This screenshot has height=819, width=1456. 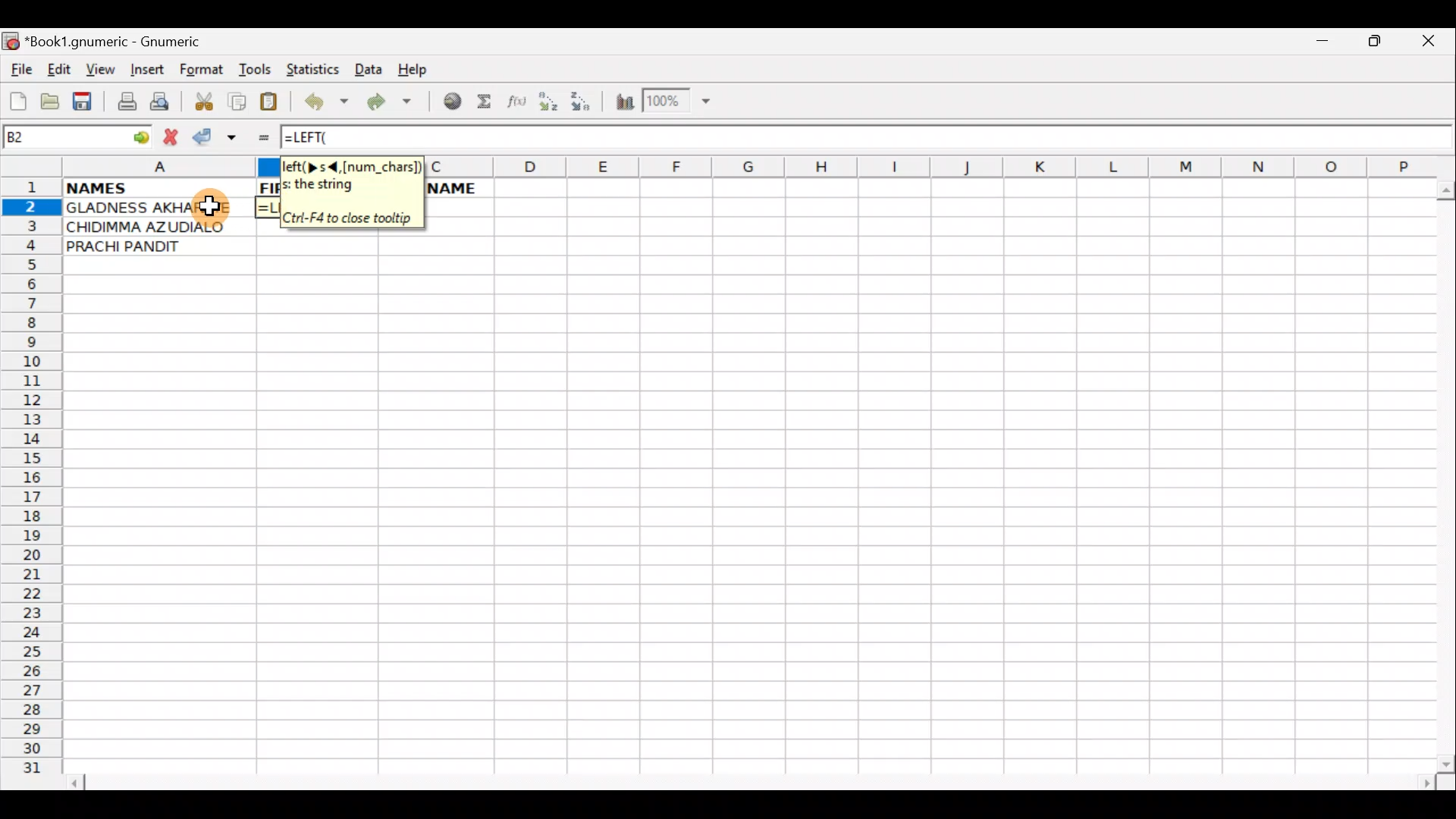 I want to click on Save current workbook, so click(x=86, y=100).